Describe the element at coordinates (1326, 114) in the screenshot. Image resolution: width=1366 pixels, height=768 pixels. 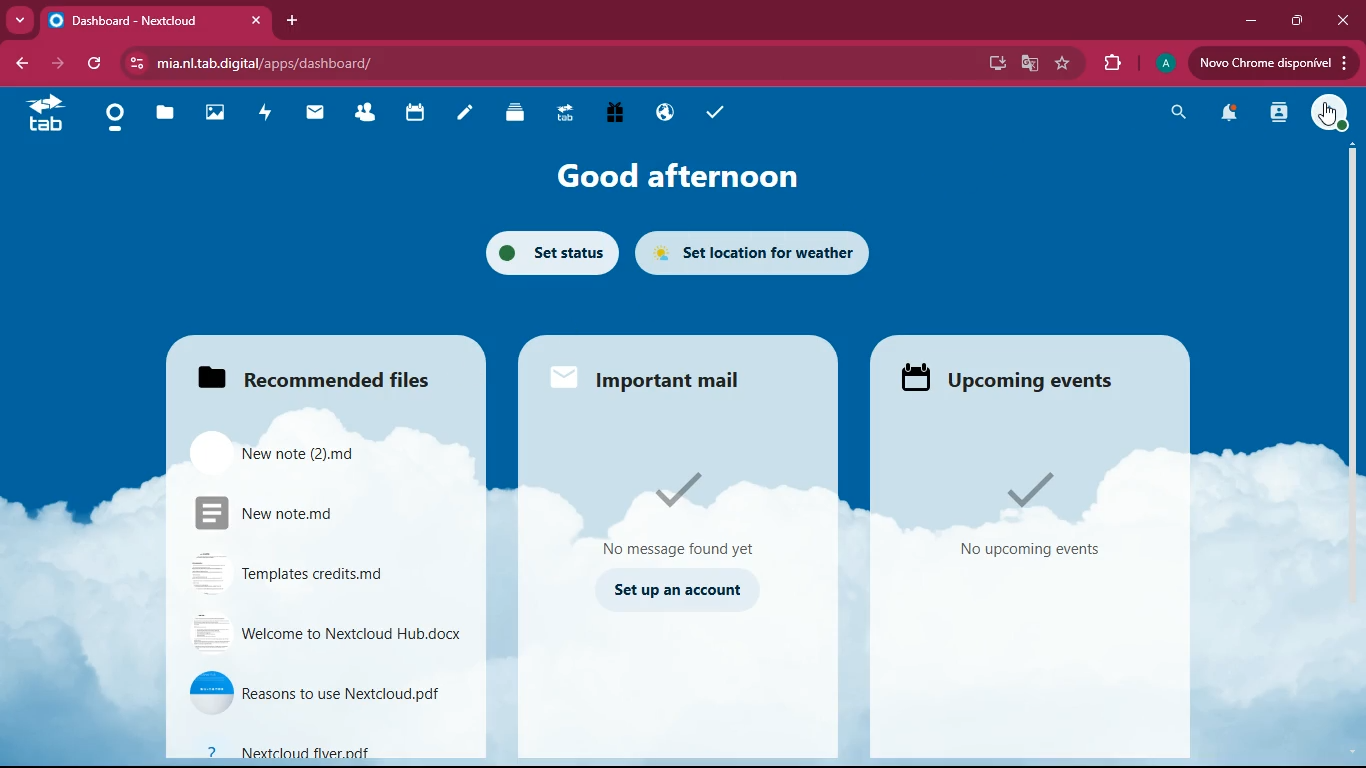
I see `cursor` at that location.